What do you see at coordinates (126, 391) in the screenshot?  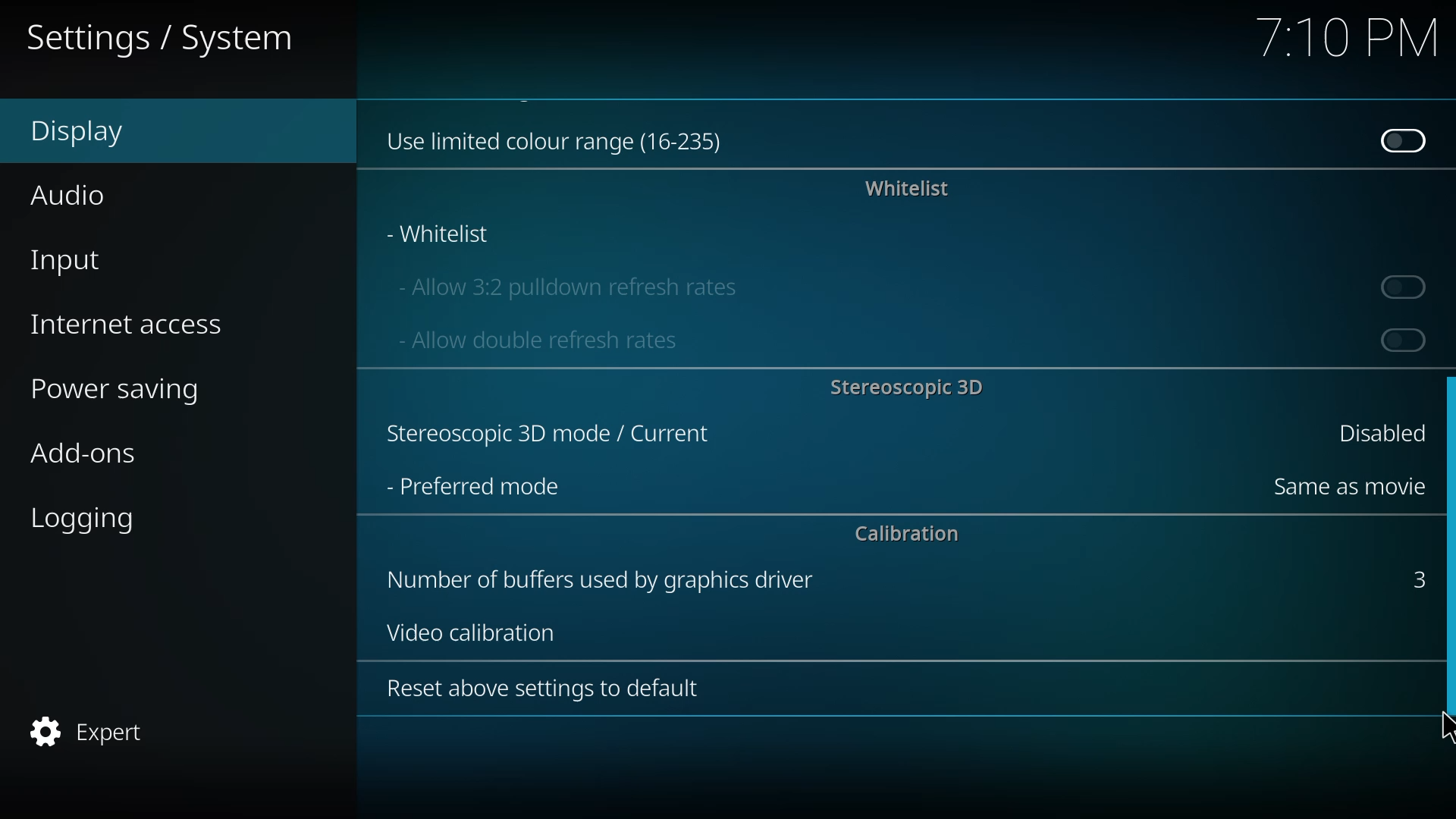 I see `power saving` at bounding box center [126, 391].